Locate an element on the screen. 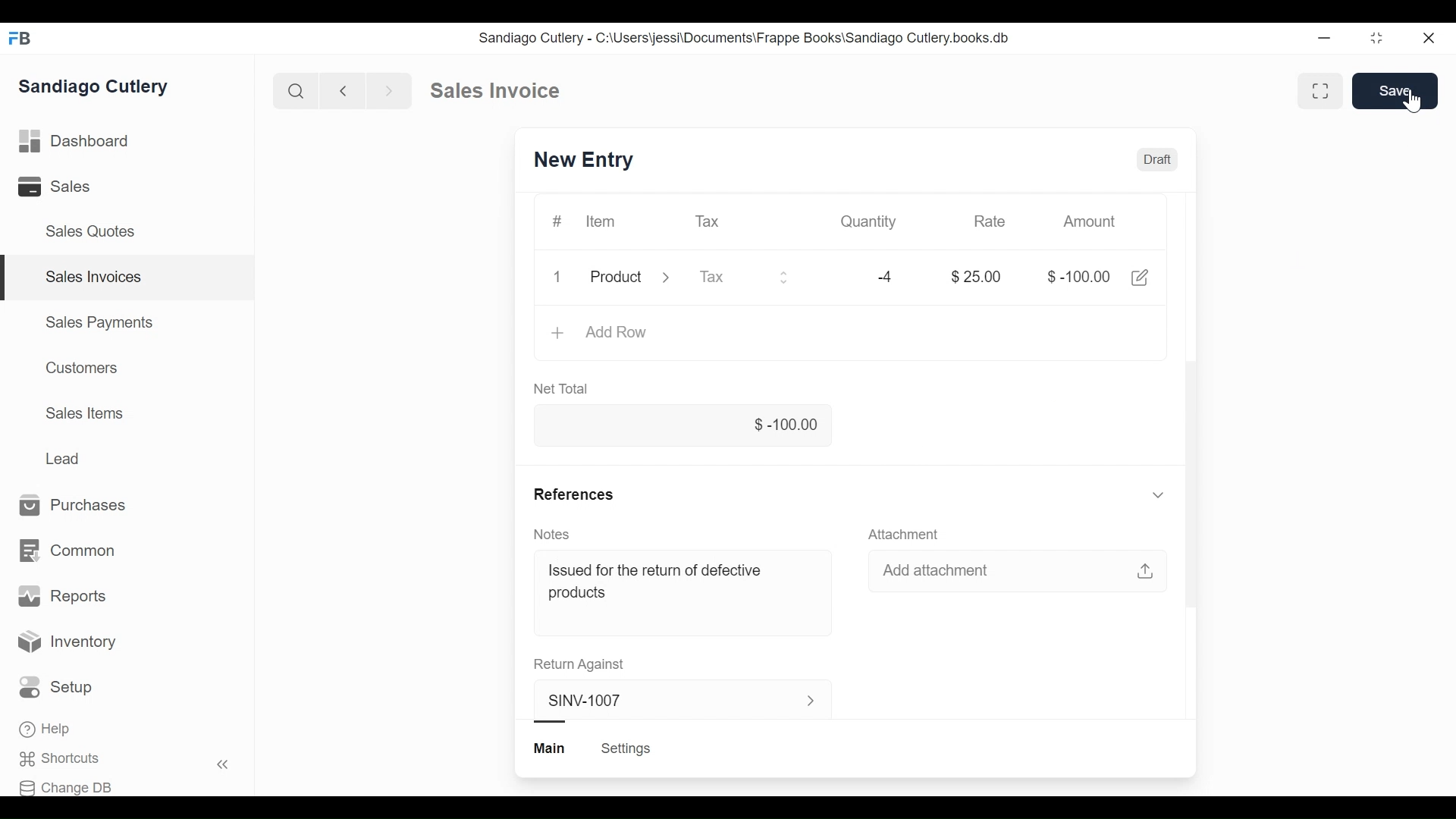 The width and height of the screenshot is (1456, 819). Add attachment is located at coordinates (1021, 573).